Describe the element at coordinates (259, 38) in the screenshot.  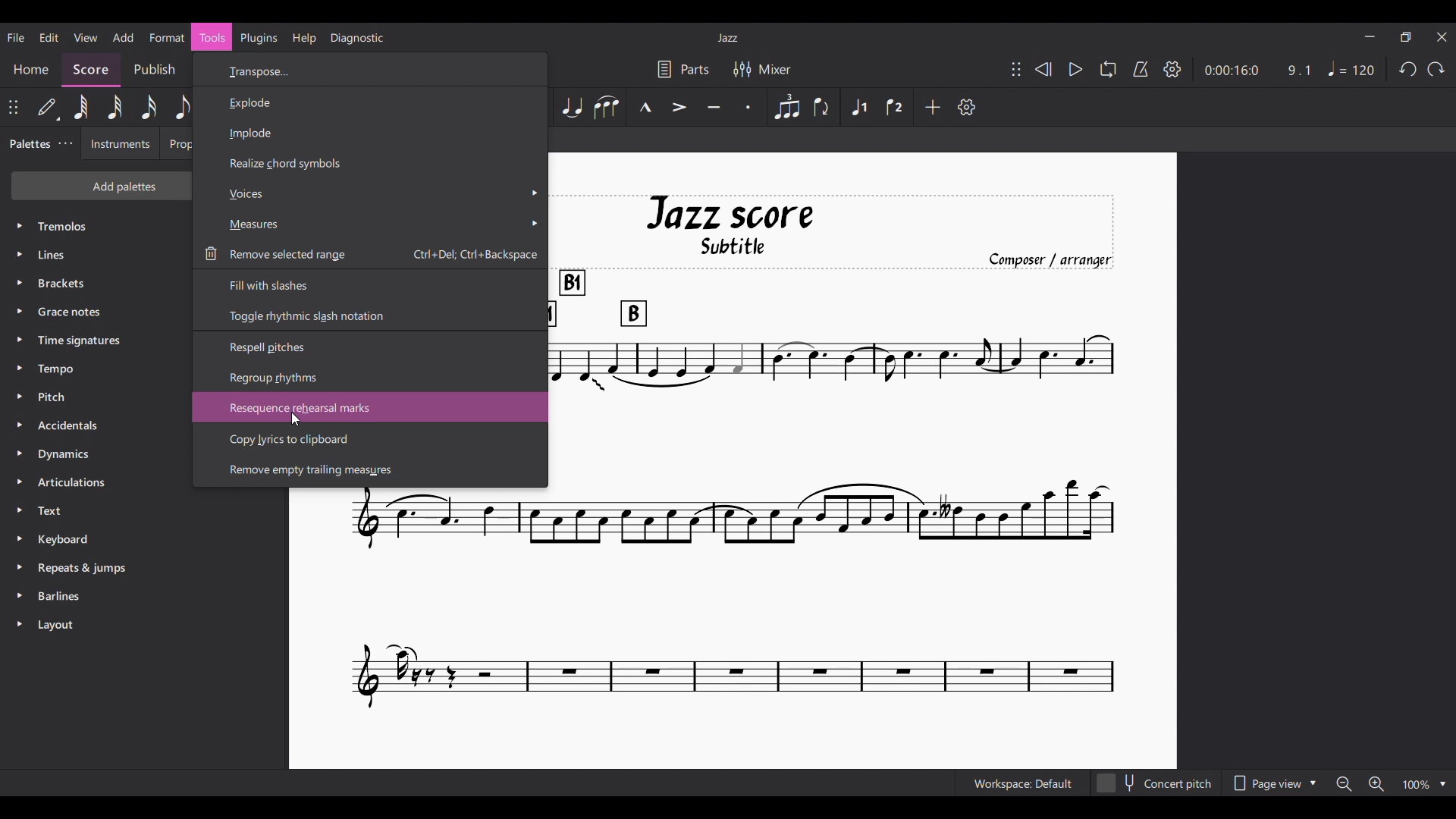
I see `Plugins menu` at that location.